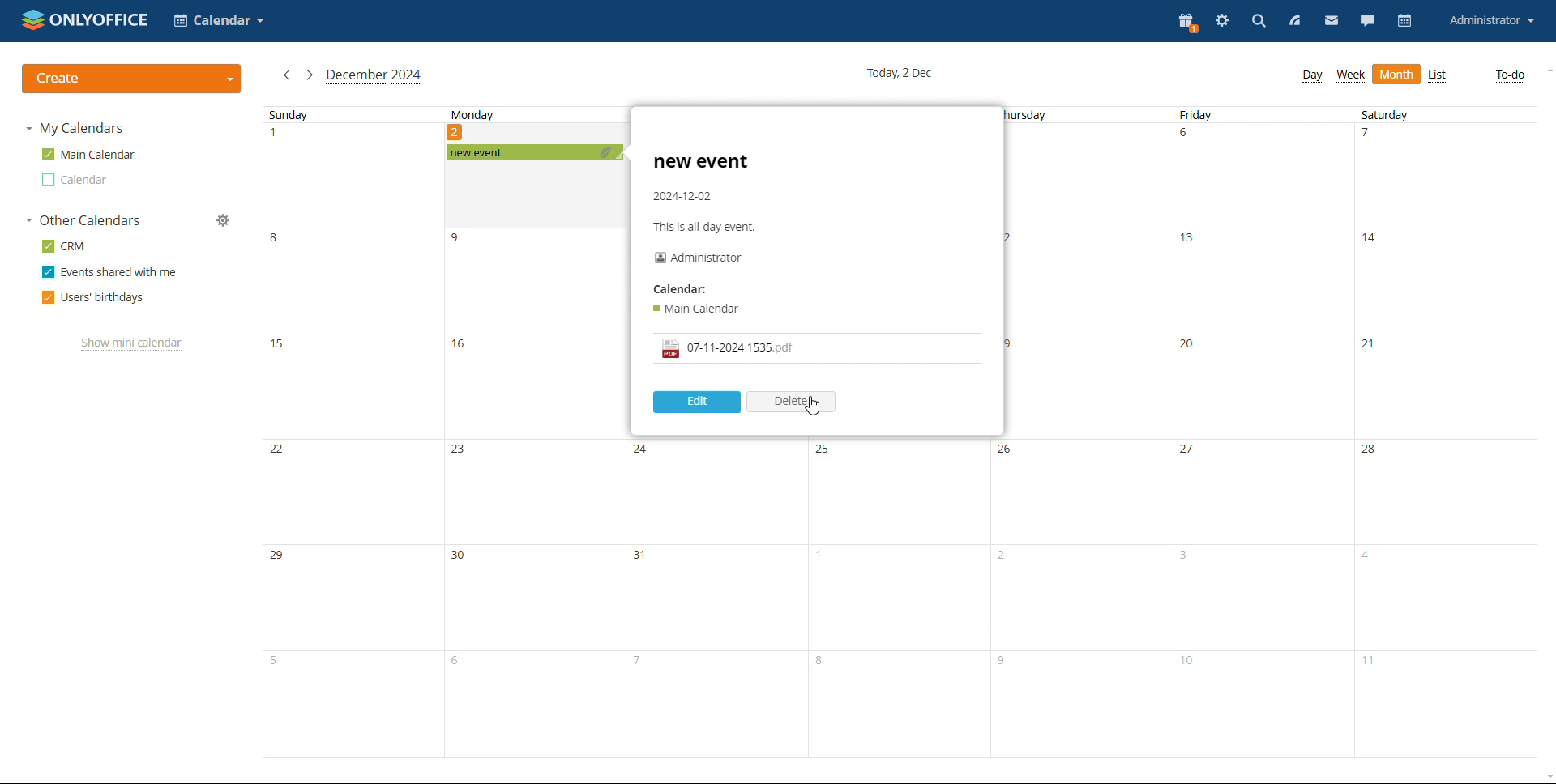 The image size is (1556, 784). Describe the element at coordinates (534, 153) in the screenshot. I see `new event` at that location.